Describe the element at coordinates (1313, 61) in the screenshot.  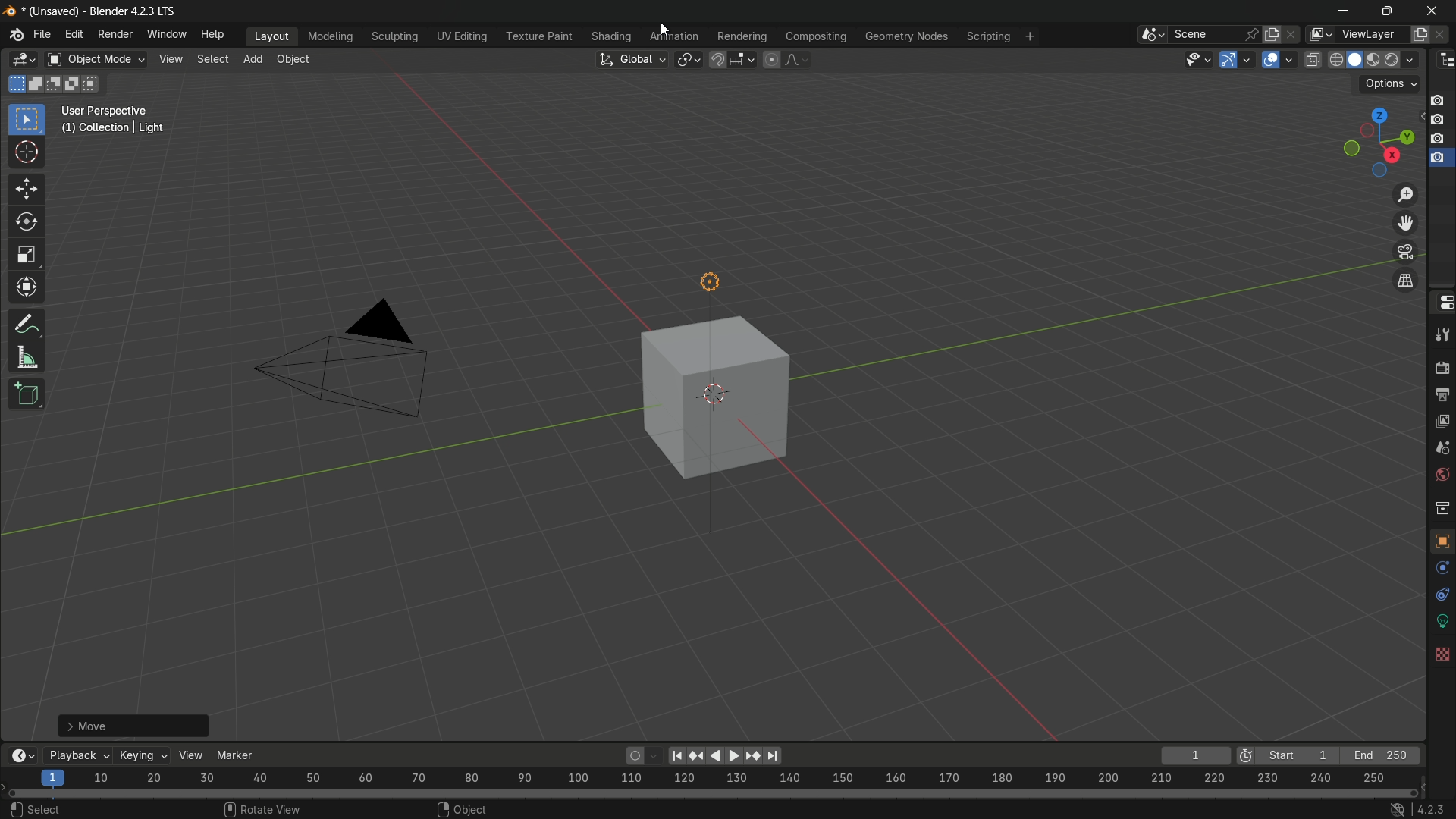
I see `toggle x-ray` at that location.